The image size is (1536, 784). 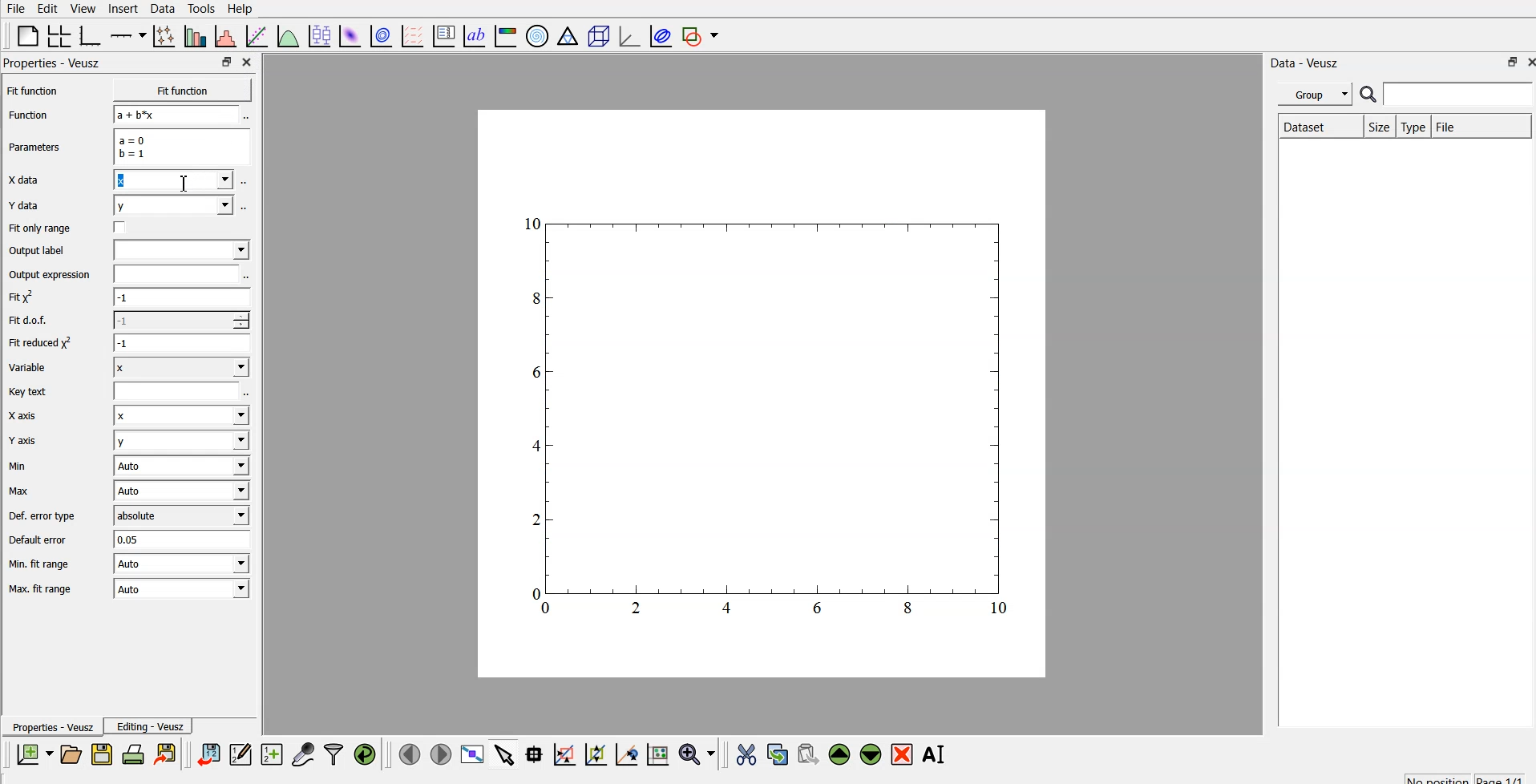 What do you see at coordinates (166, 754) in the screenshot?
I see `print the document` at bounding box center [166, 754].